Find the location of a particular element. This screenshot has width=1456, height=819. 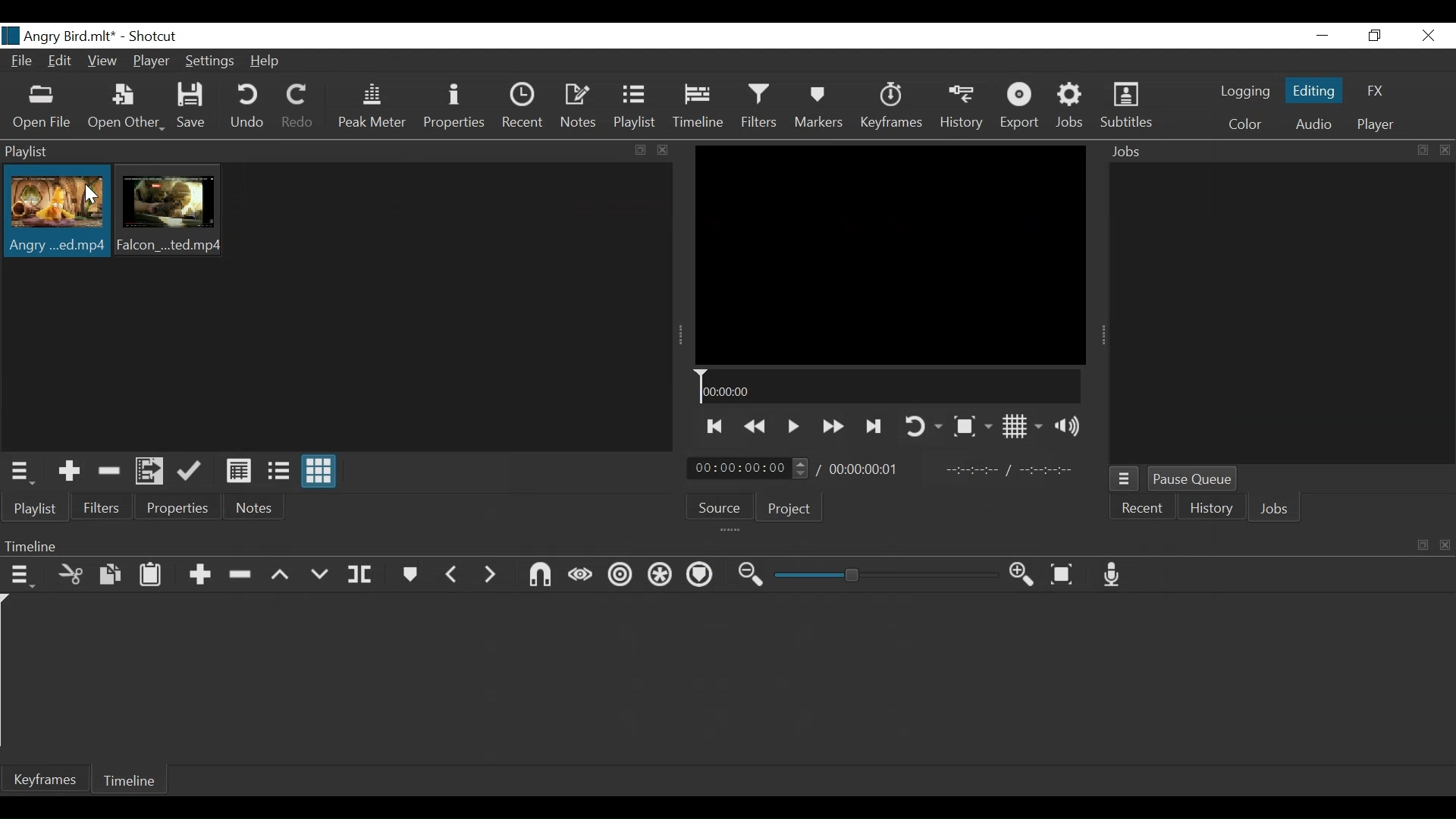

Record audio track is located at coordinates (1114, 576).